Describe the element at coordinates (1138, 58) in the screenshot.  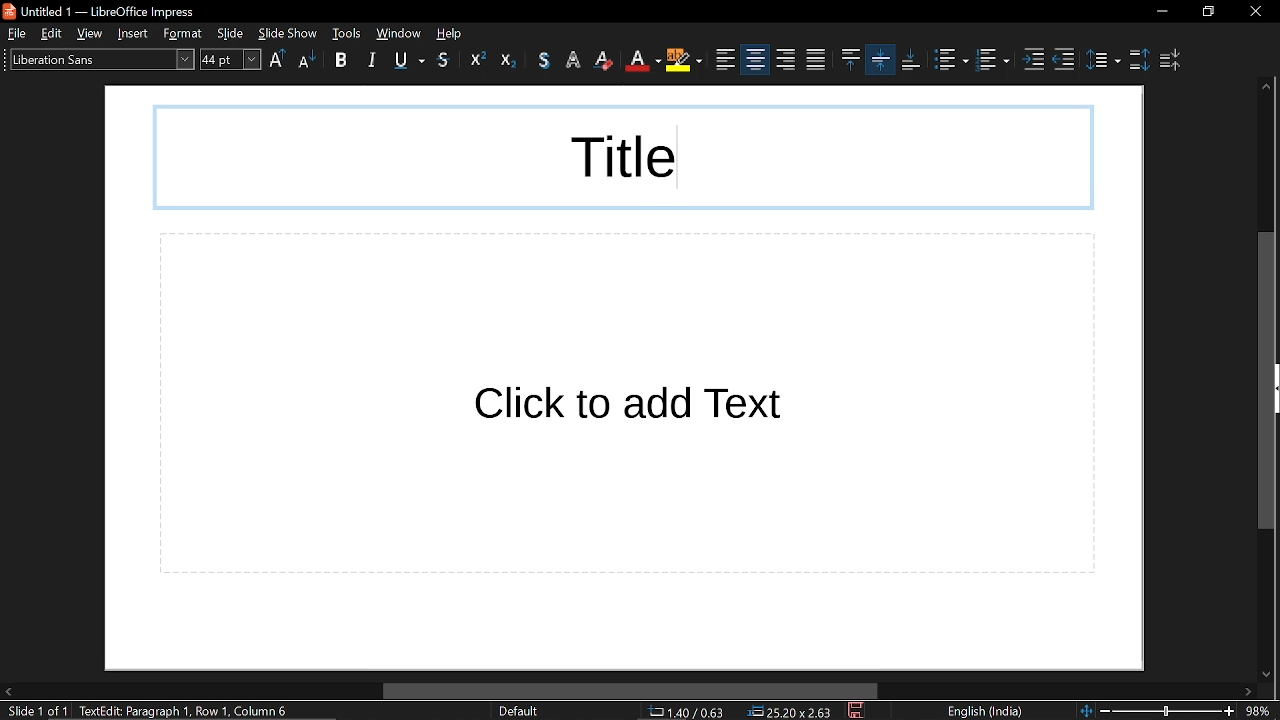
I see `increase paragraph spacing` at that location.